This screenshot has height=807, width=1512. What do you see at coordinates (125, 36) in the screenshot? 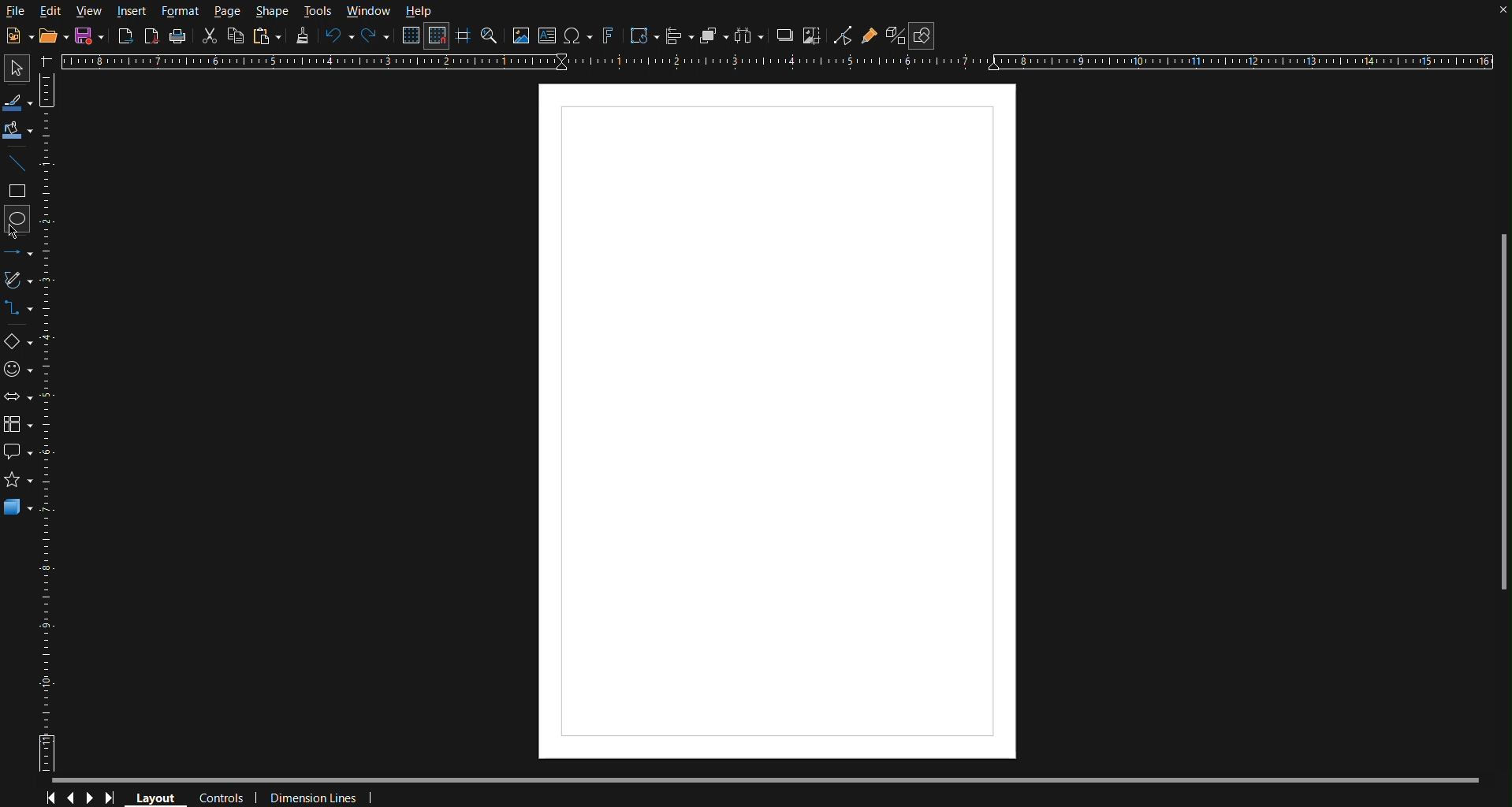
I see `Export` at bounding box center [125, 36].